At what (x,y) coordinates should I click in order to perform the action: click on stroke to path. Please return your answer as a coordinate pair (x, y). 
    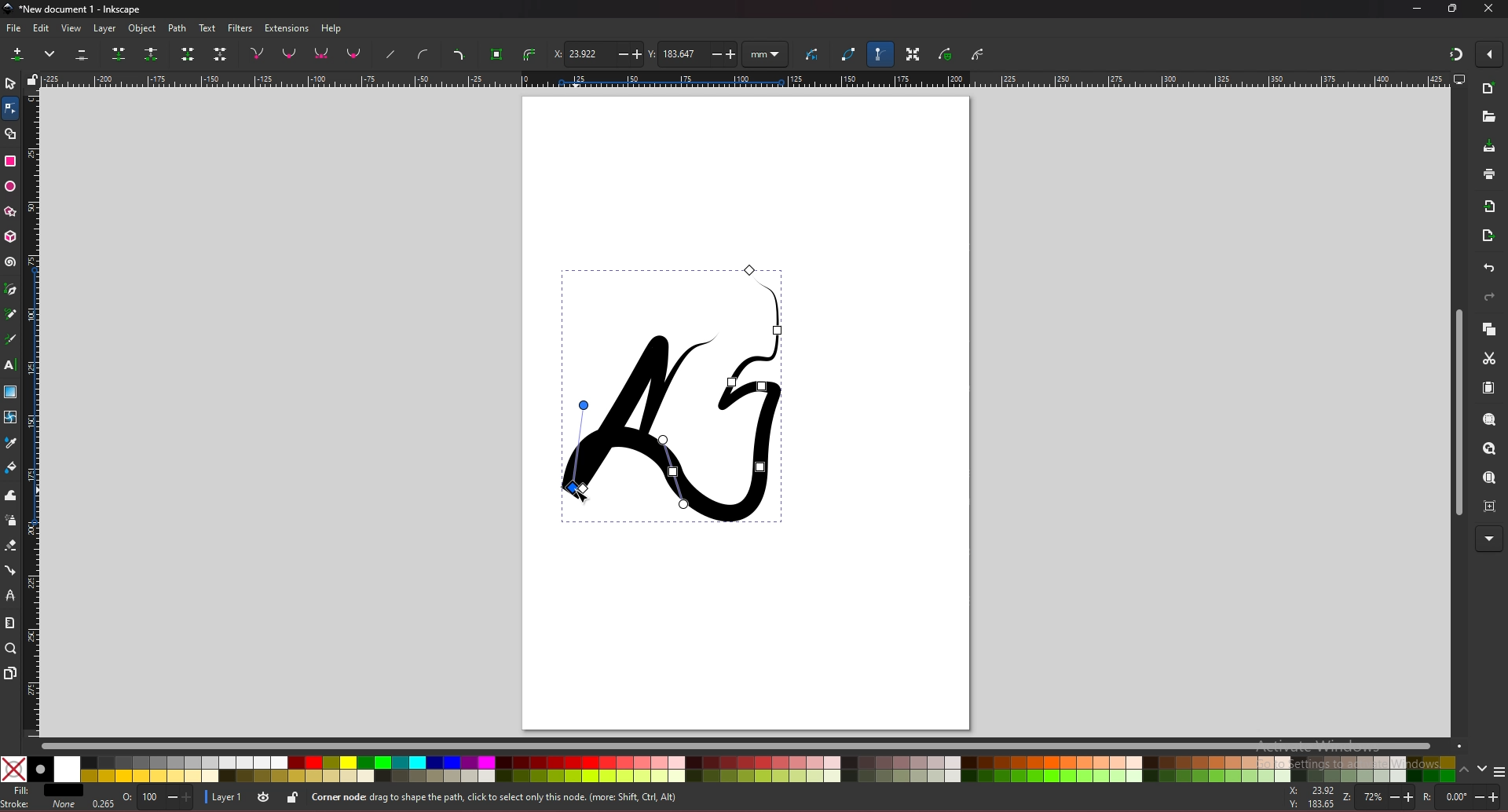
    Looking at the image, I should click on (529, 54).